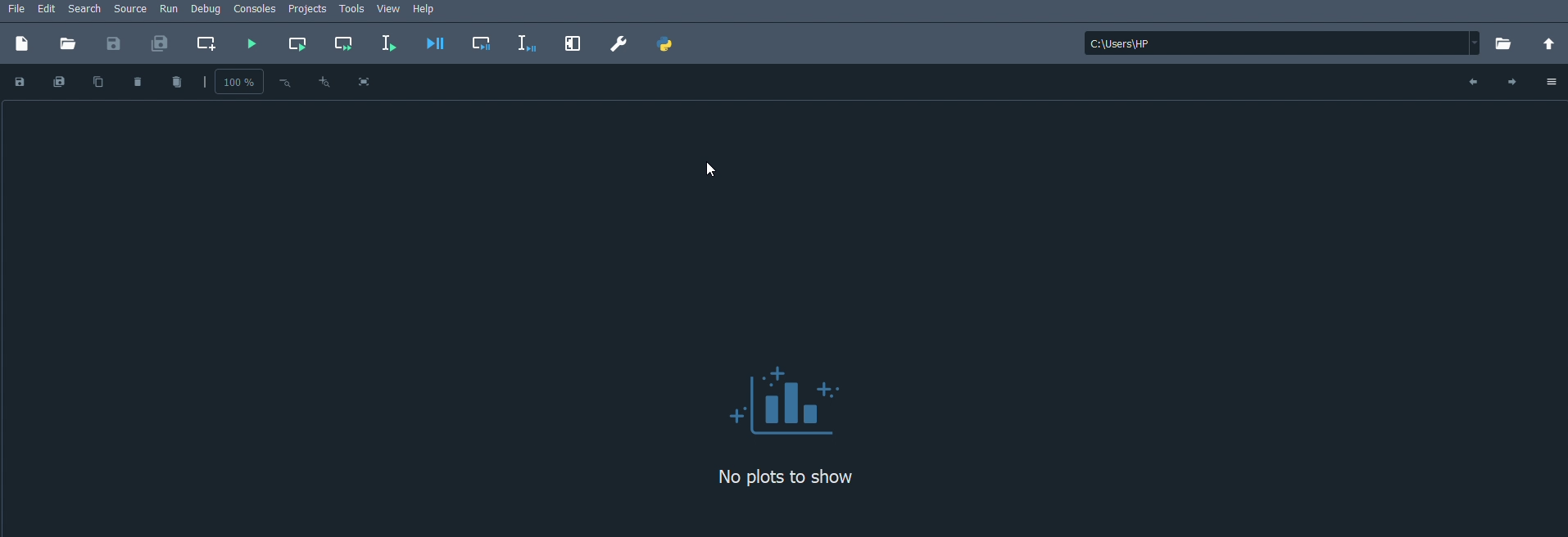 The width and height of the screenshot is (1568, 537). Describe the element at coordinates (351, 10) in the screenshot. I see `Tools` at that location.